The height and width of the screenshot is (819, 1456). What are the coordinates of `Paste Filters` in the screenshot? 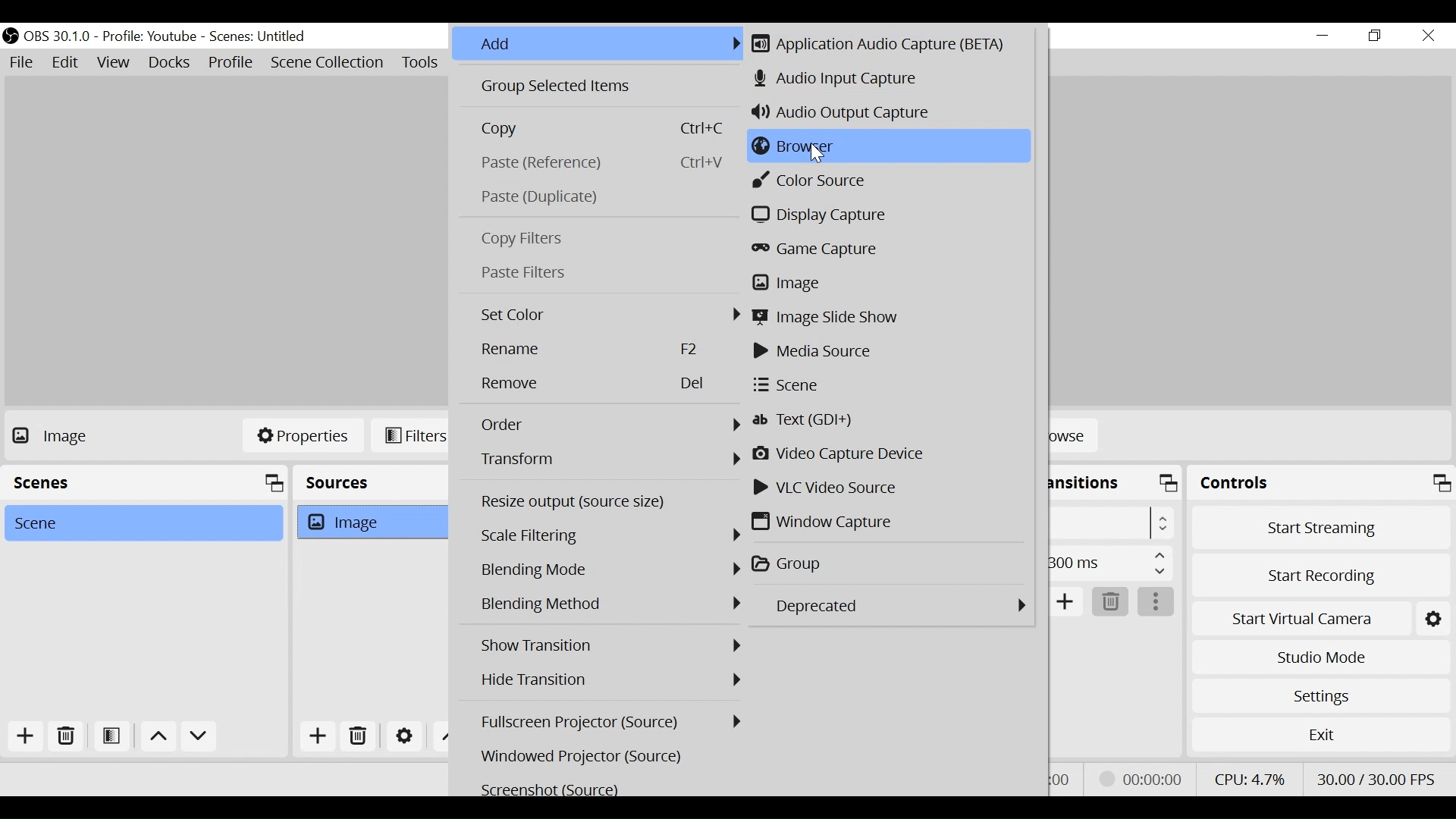 It's located at (603, 272).